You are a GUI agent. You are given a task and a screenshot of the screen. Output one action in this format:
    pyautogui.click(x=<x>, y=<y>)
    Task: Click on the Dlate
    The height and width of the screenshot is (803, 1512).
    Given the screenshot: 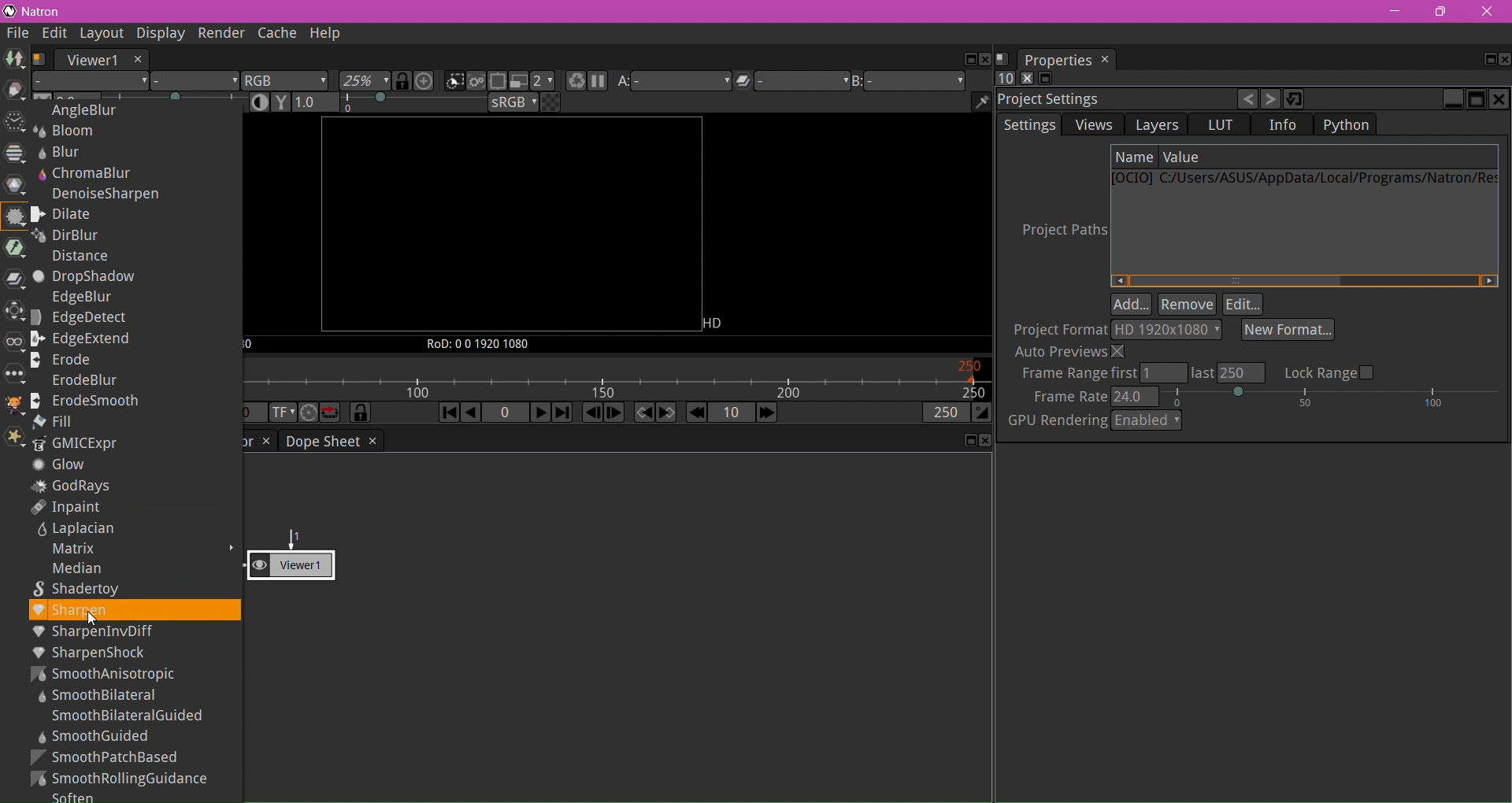 What is the action you would take?
    pyautogui.click(x=77, y=214)
    